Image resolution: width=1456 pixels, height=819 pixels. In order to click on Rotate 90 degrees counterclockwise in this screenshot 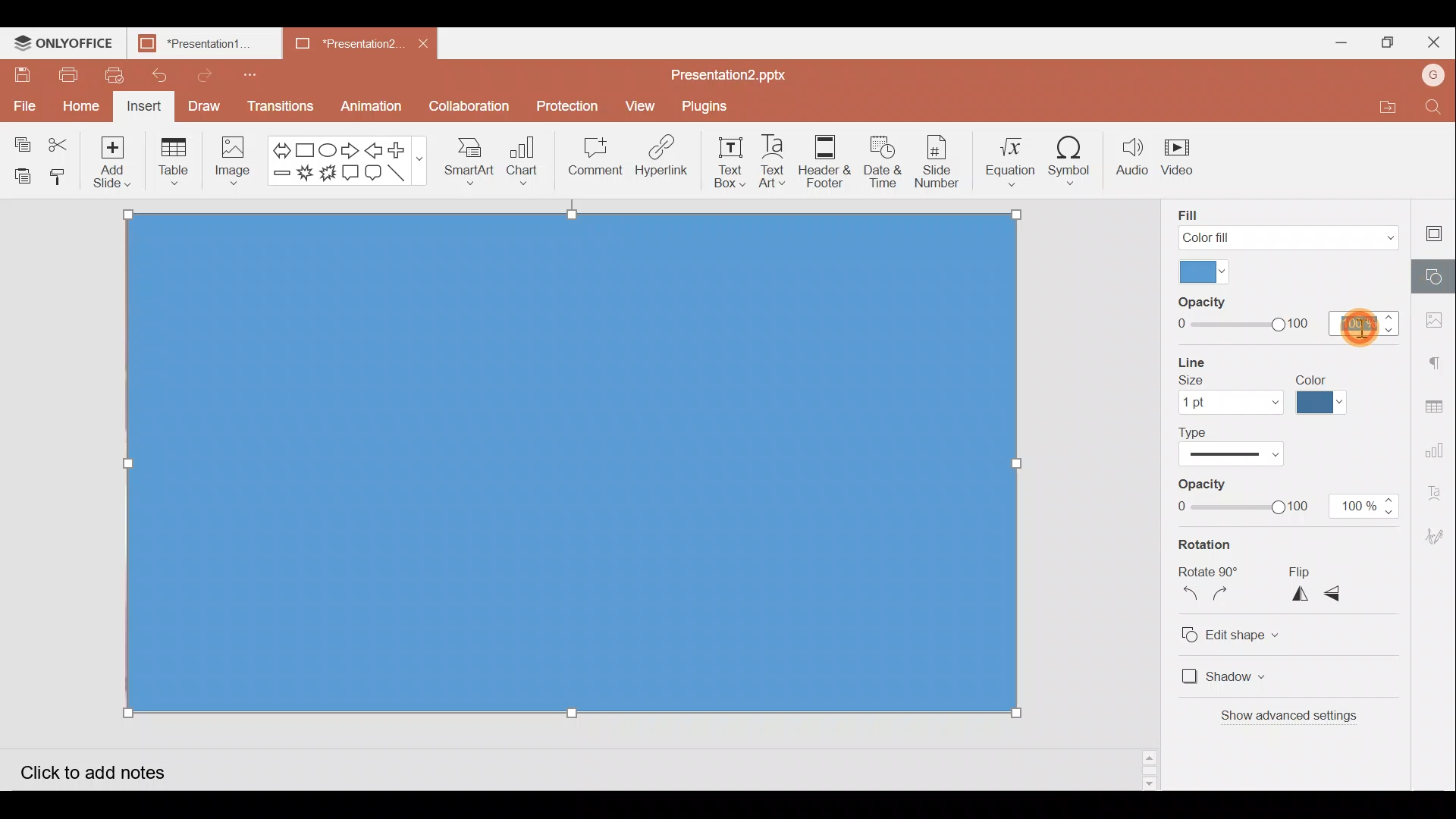, I will do `click(1189, 597)`.